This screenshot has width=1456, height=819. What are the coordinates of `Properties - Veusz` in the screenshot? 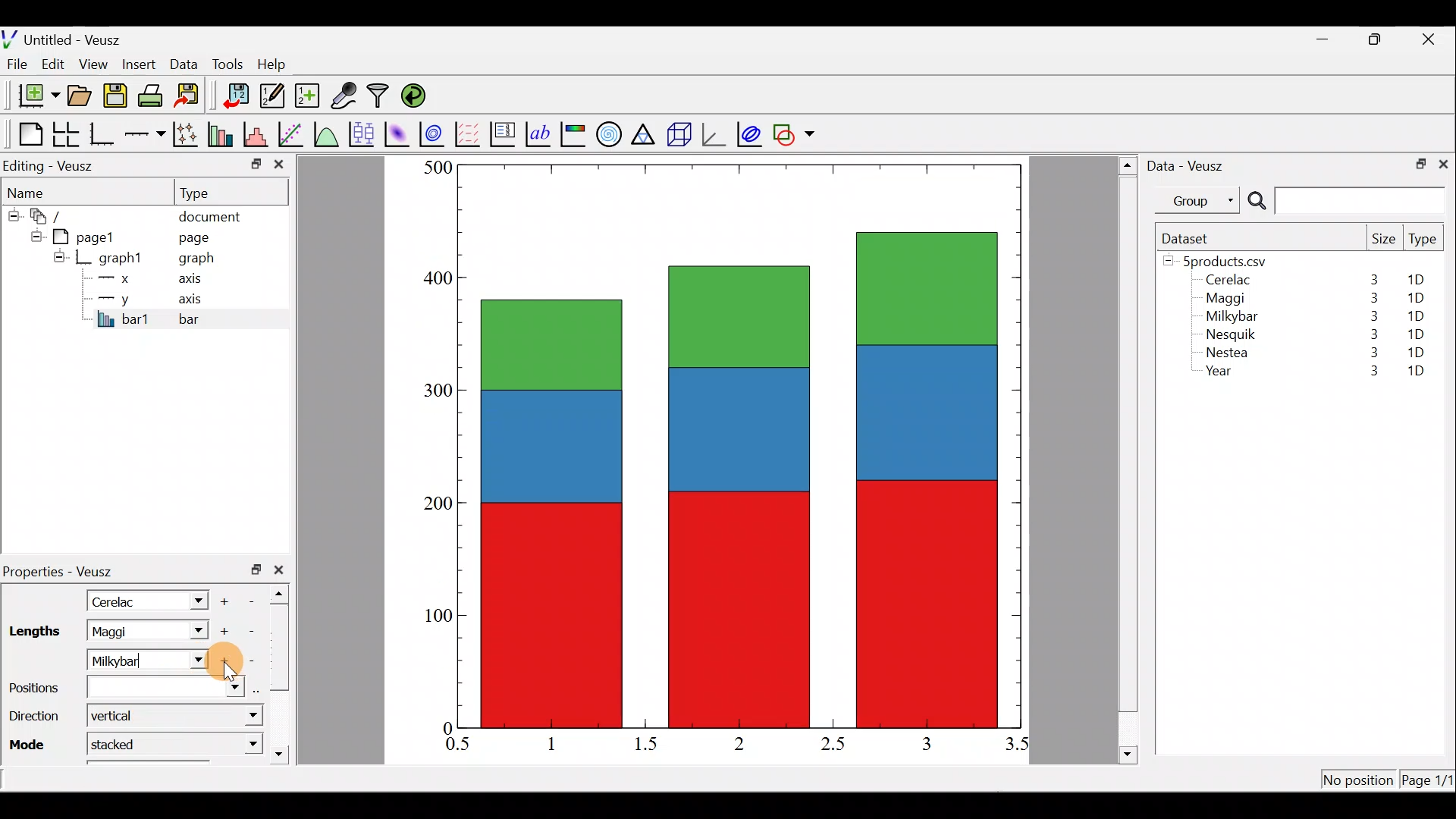 It's located at (64, 572).